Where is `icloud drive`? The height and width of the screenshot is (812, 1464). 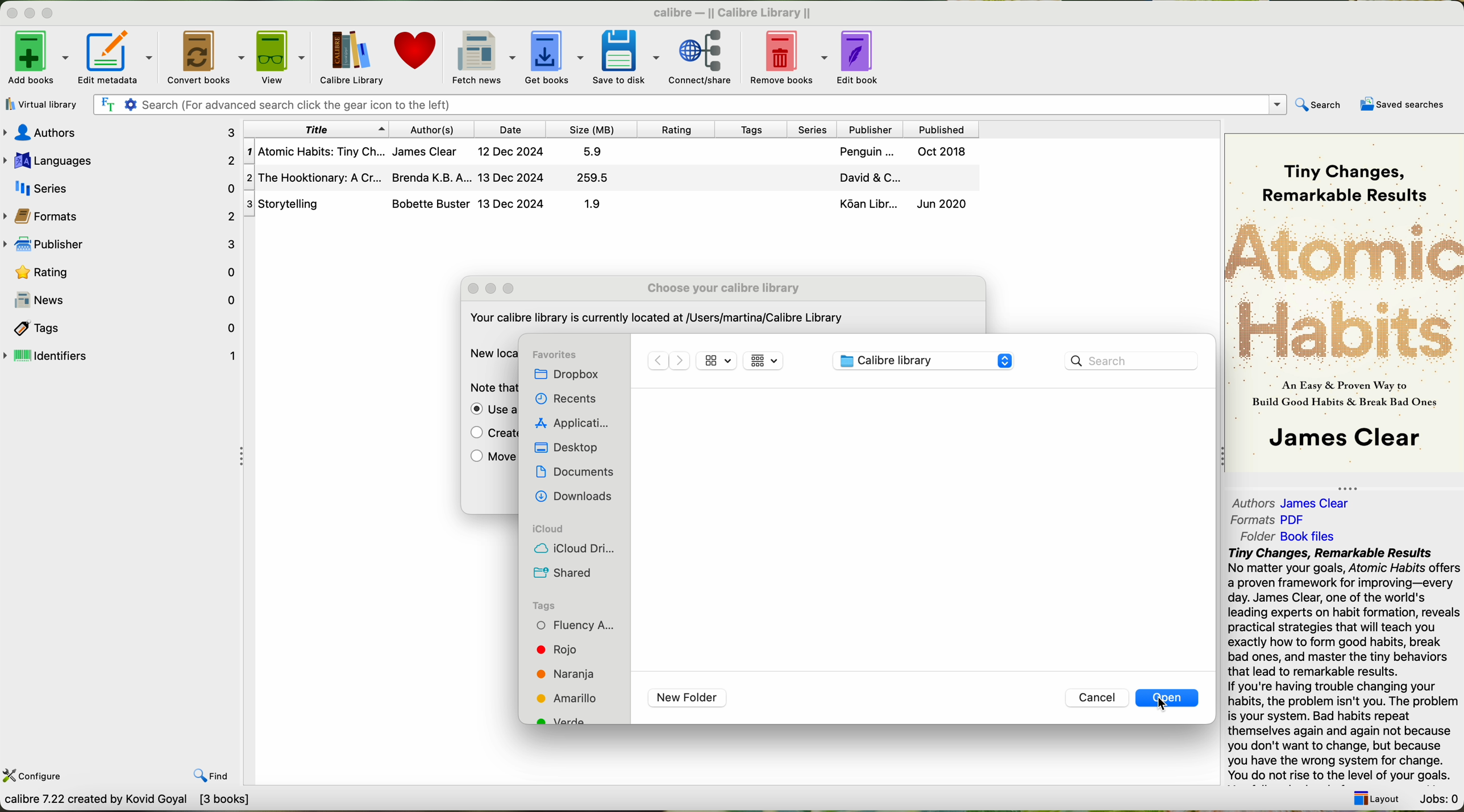
icloud drive is located at coordinates (576, 551).